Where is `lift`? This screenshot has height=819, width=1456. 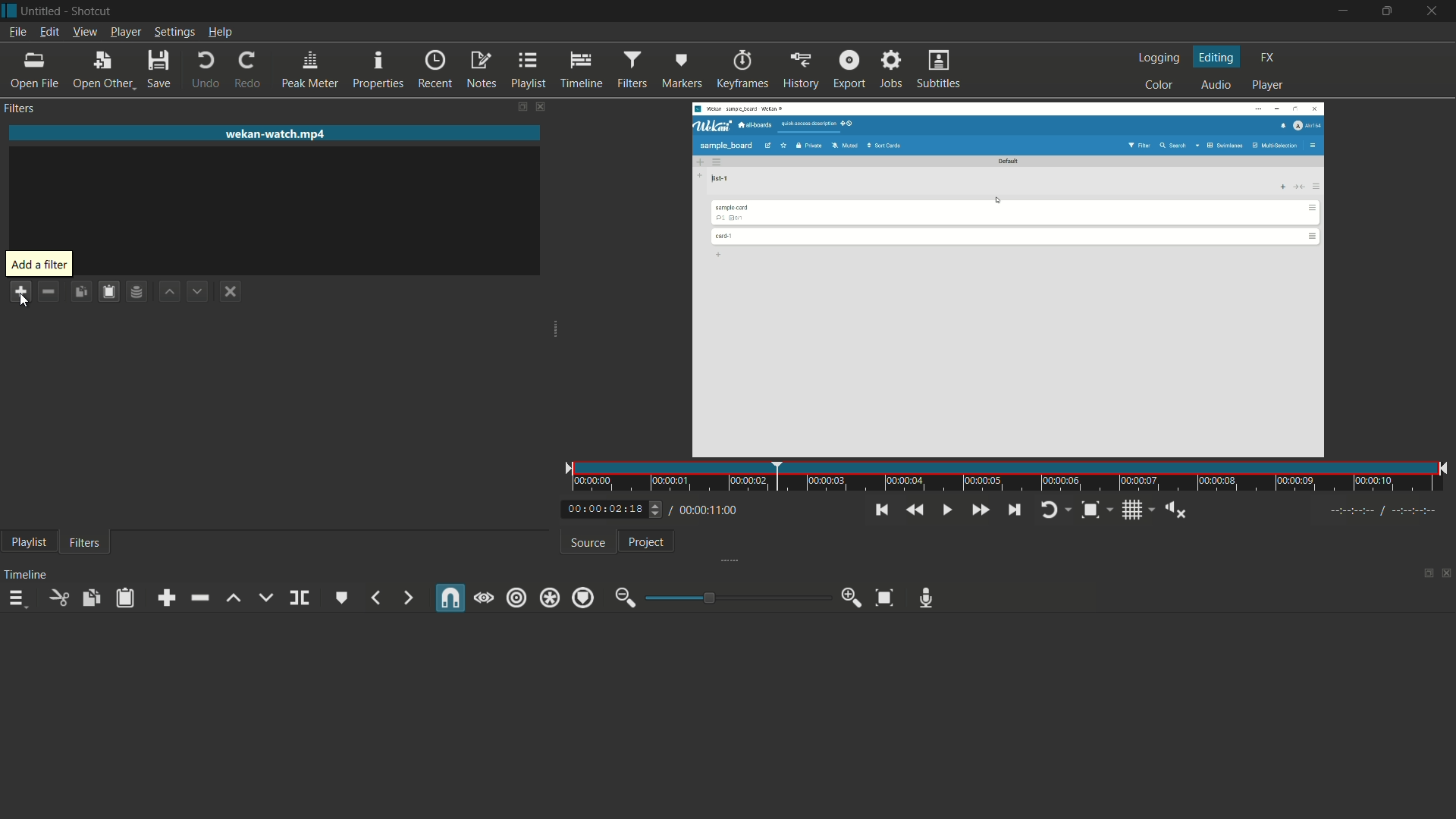 lift is located at coordinates (234, 598).